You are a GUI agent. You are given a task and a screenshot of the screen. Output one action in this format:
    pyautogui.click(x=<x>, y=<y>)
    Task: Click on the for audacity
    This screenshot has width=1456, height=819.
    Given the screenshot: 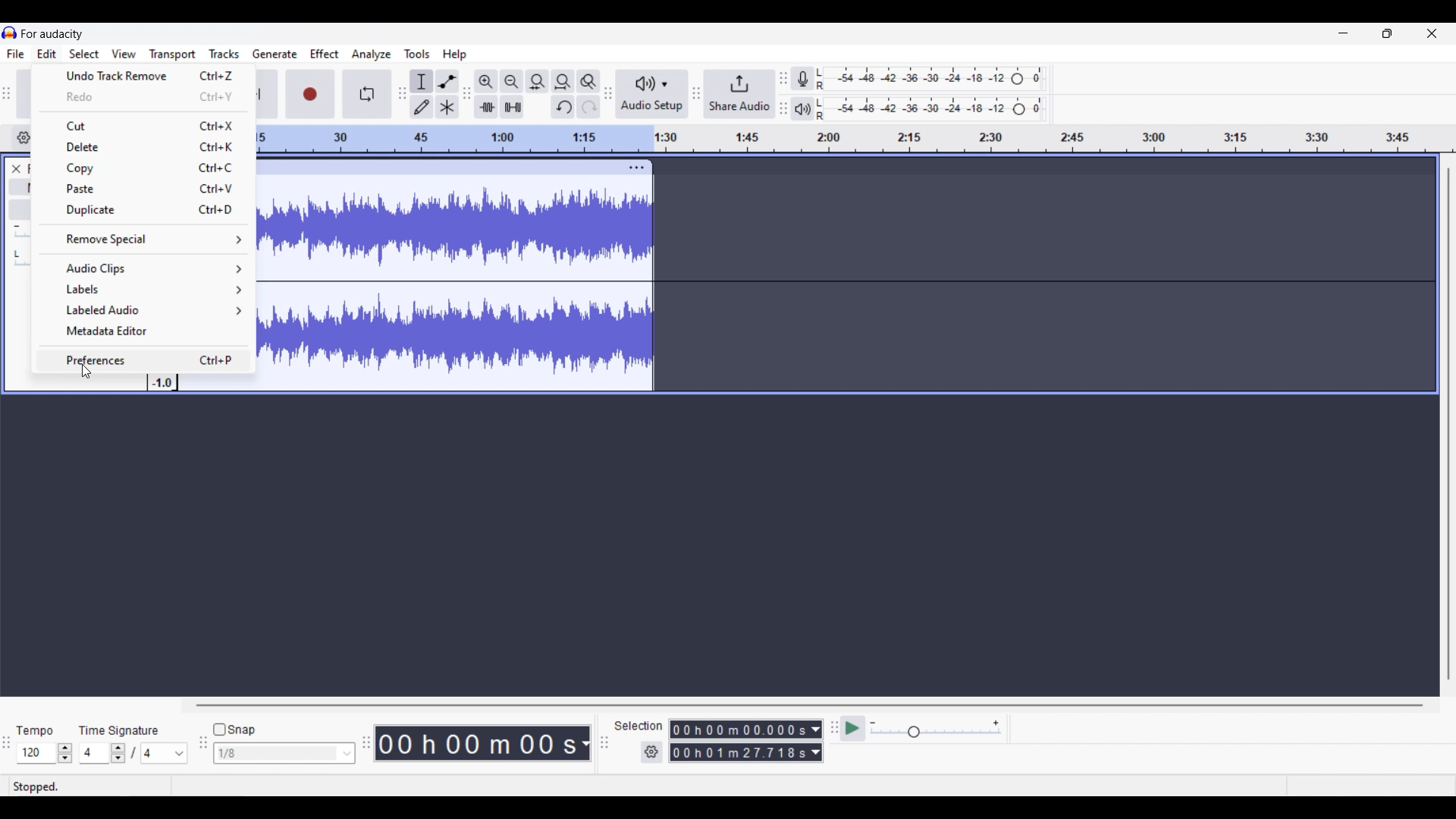 What is the action you would take?
    pyautogui.click(x=52, y=34)
    